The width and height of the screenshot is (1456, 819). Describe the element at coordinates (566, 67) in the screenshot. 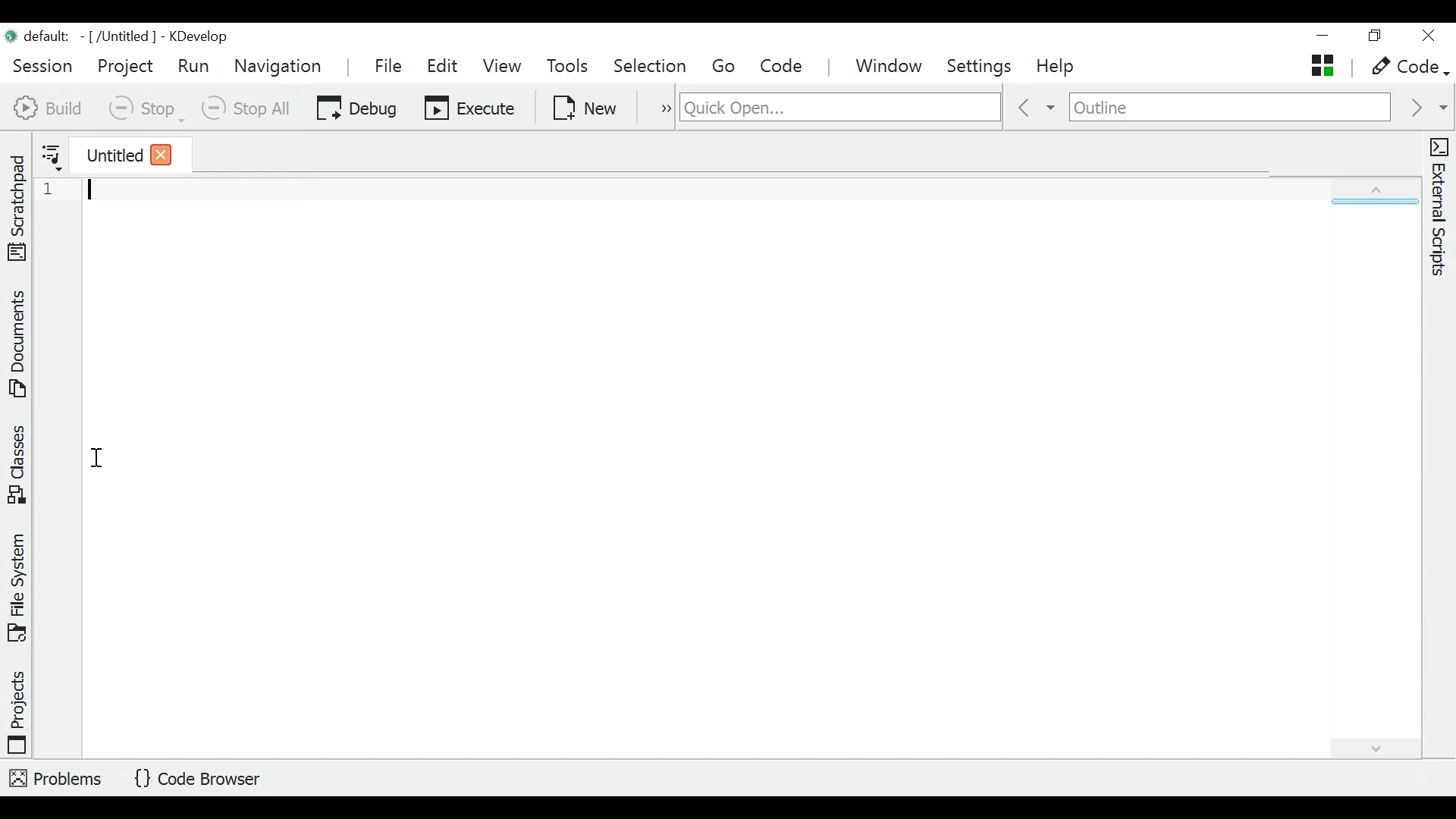

I see `Tools` at that location.